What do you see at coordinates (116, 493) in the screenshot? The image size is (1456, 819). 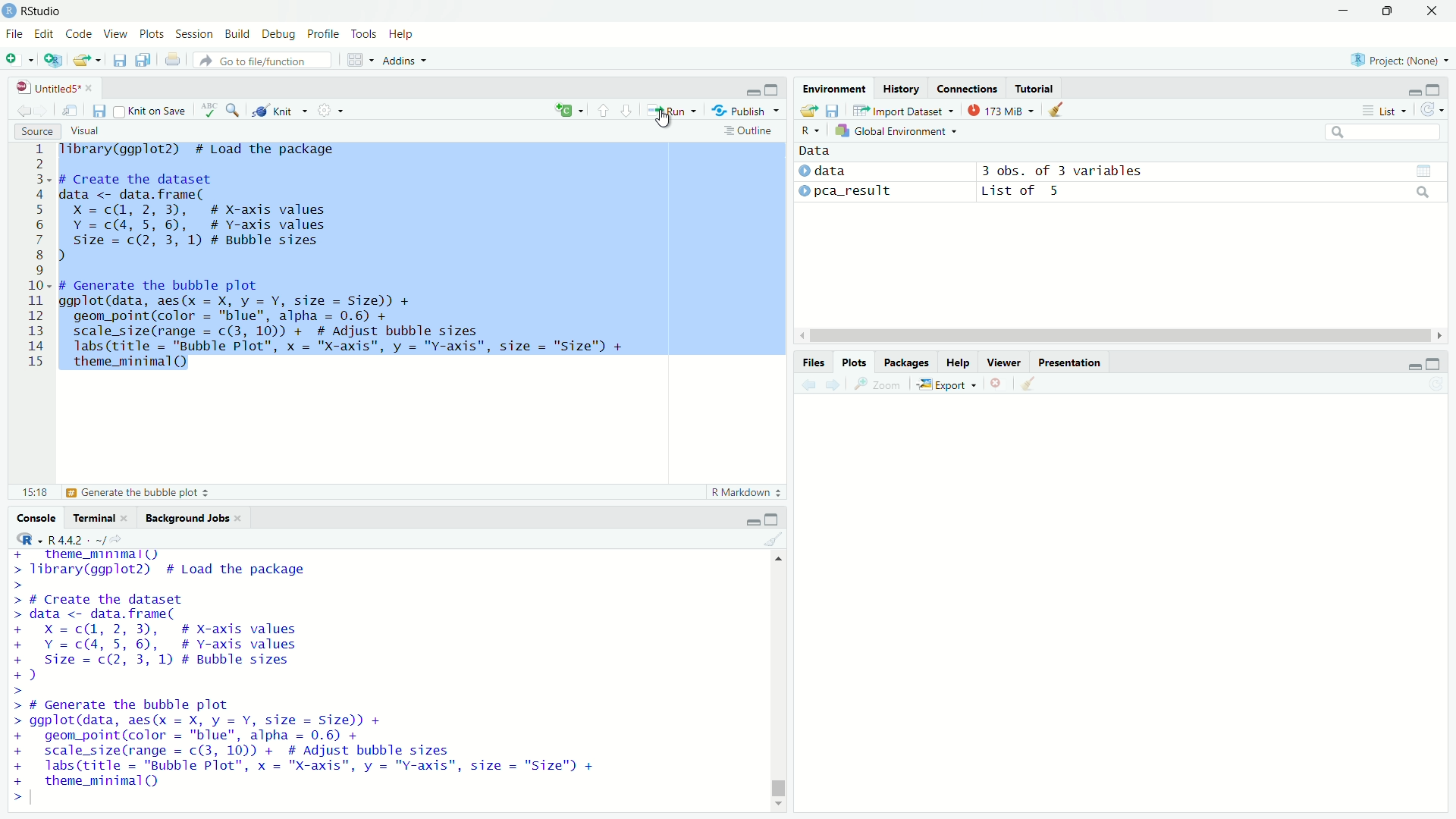 I see `generate the bubble plot ` at bounding box center [116, 493].